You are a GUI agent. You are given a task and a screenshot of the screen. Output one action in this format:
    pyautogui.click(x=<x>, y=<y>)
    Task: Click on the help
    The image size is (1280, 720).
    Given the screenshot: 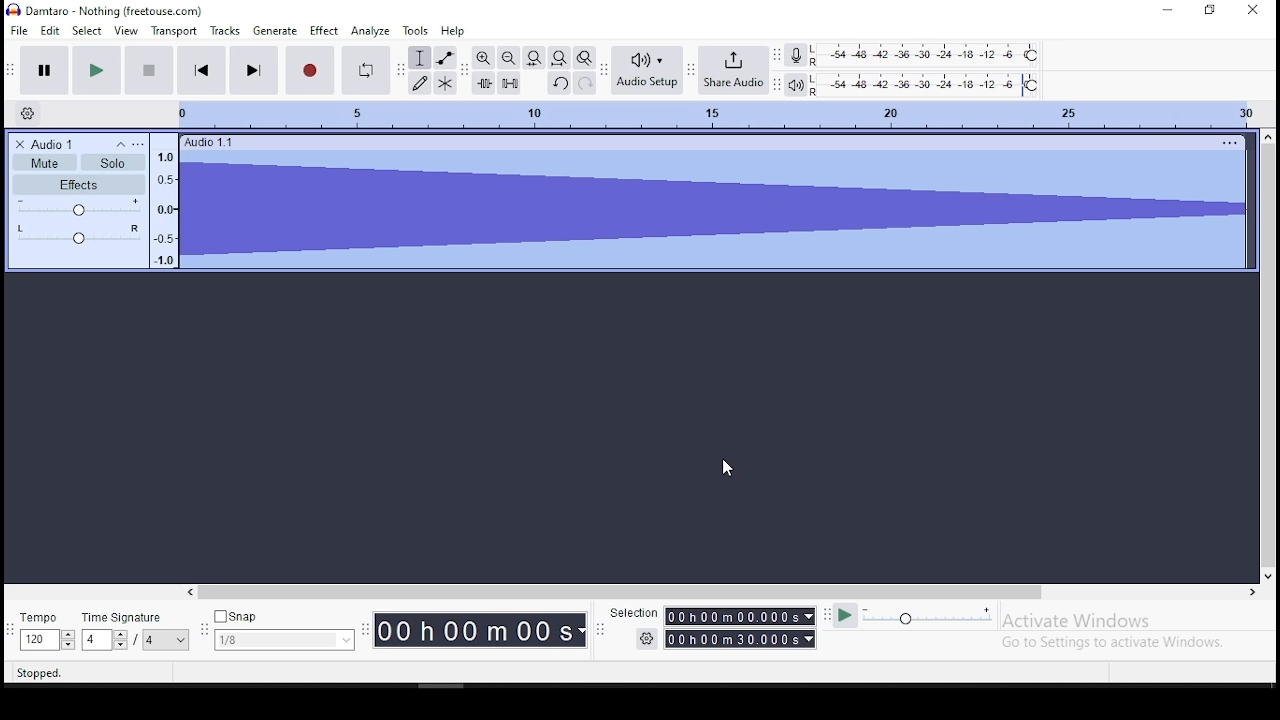 What is the action you would take?
    pyautogui.click(x=453, y=31)
    